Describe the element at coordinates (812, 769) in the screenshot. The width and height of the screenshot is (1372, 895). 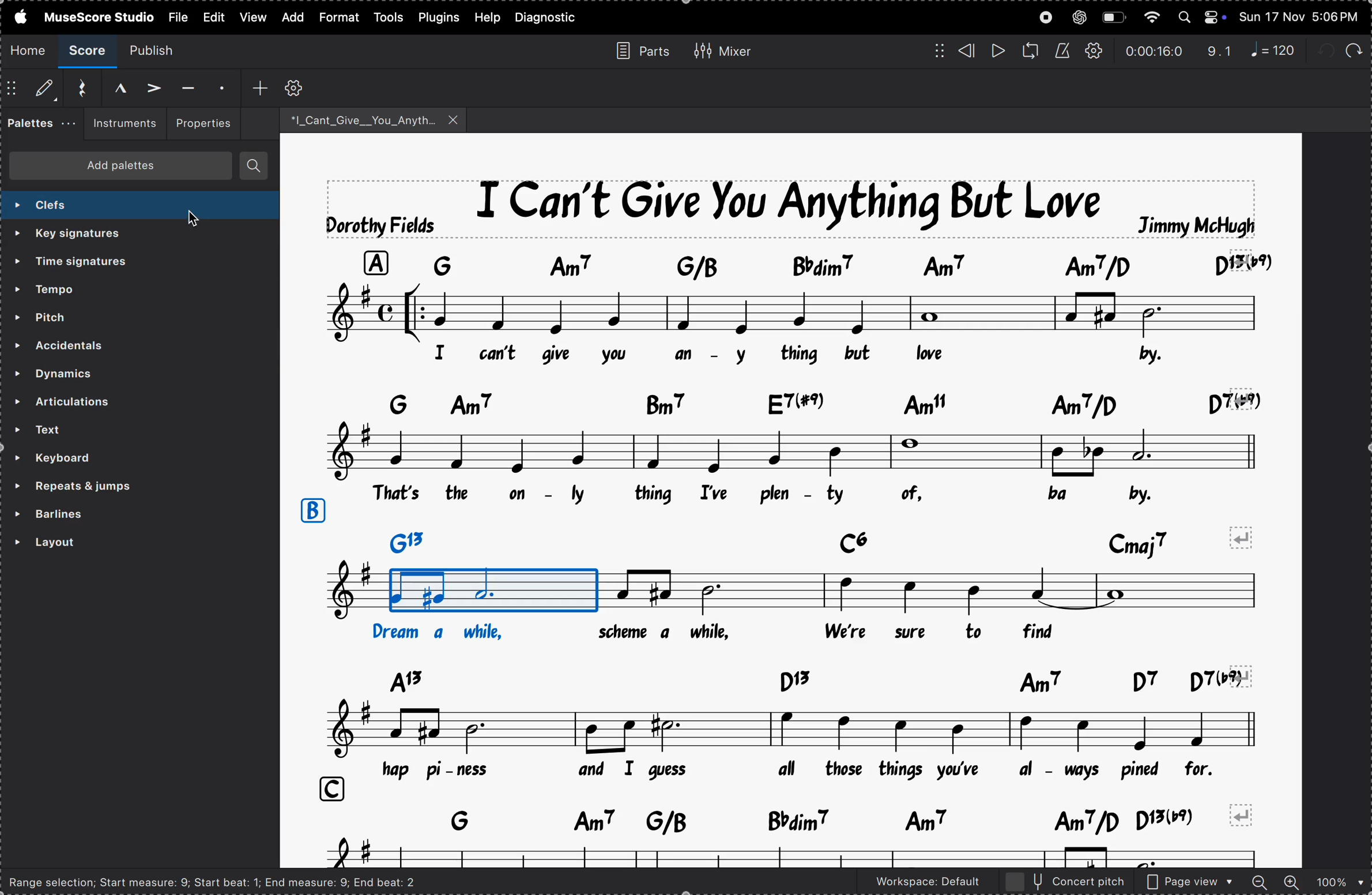
I see `lyrics` at that location.